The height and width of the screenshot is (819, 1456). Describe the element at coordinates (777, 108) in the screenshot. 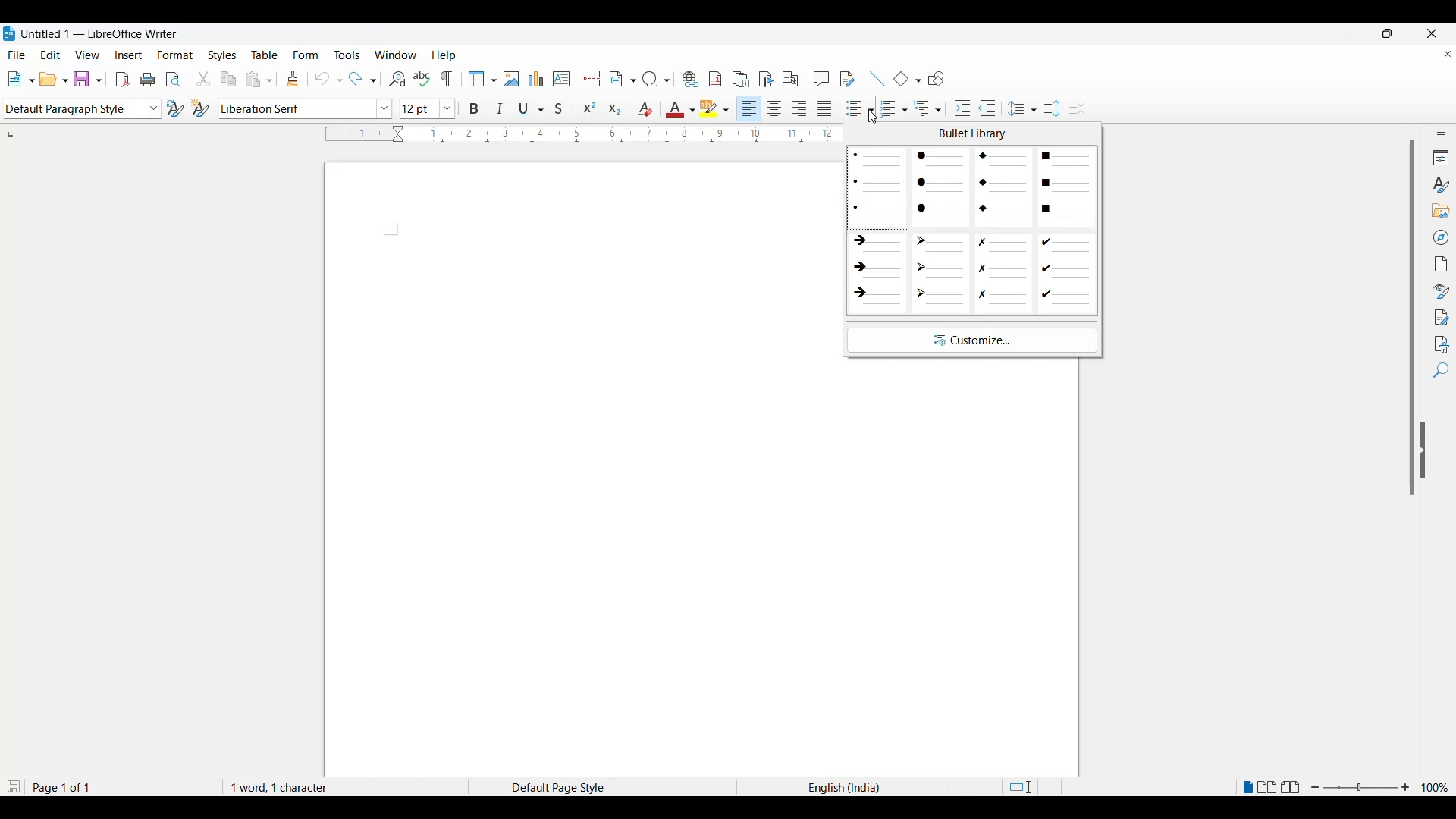

I see `align center` at that location.